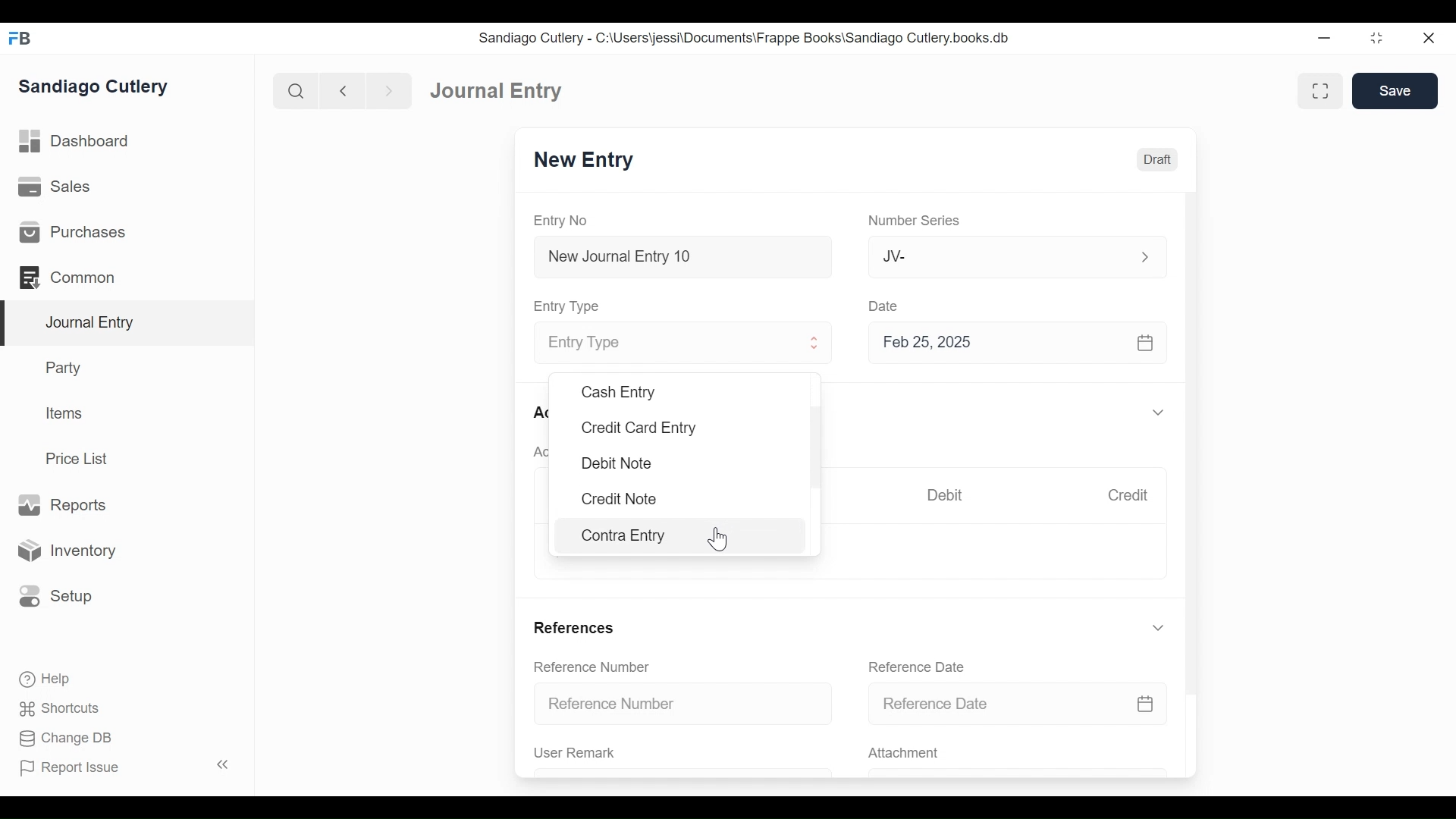  Describe the element at coordinates (61, 738) in the screenshot. I see `Change DB` at that location.